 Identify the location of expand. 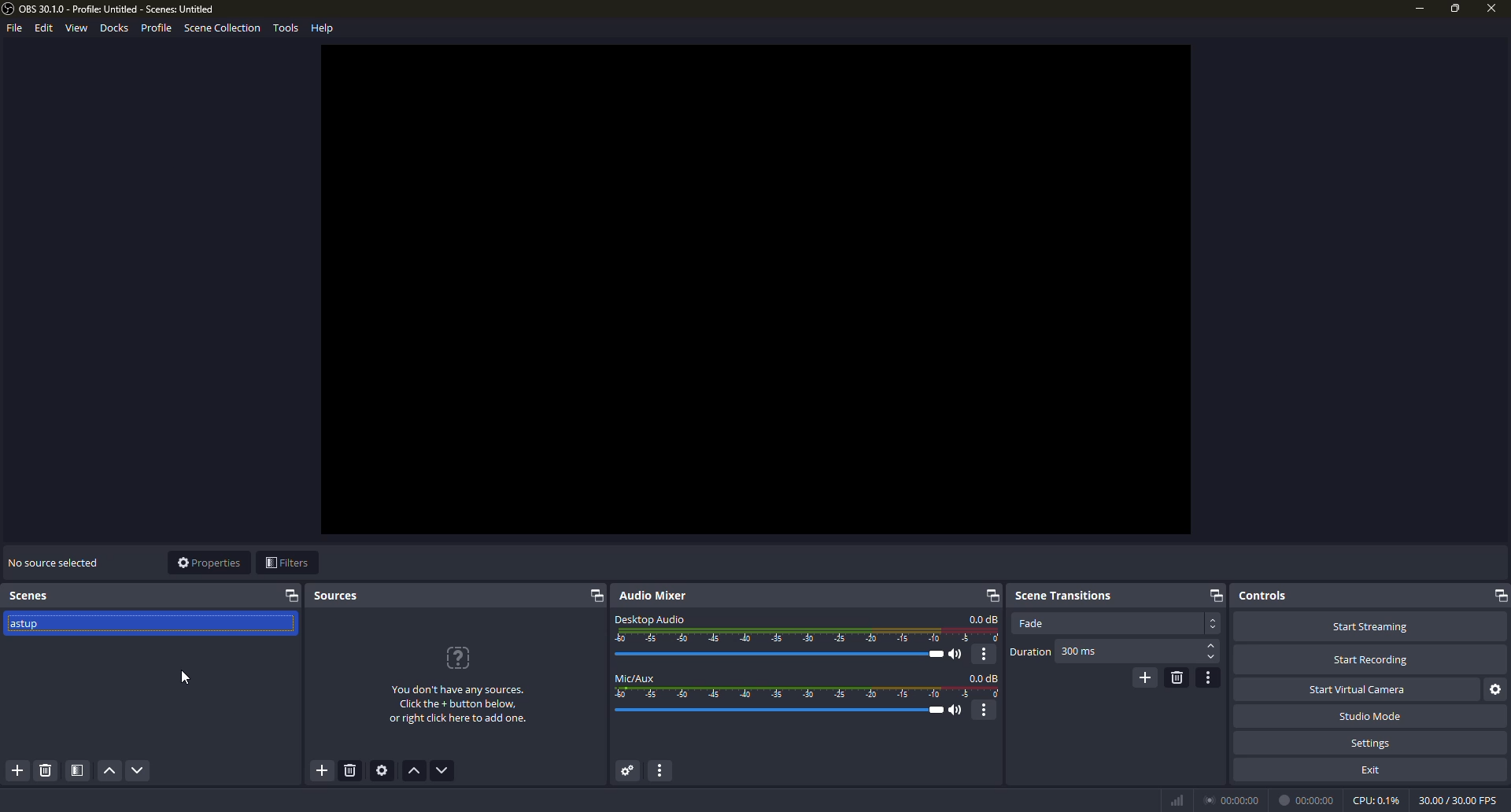
(989, 595).